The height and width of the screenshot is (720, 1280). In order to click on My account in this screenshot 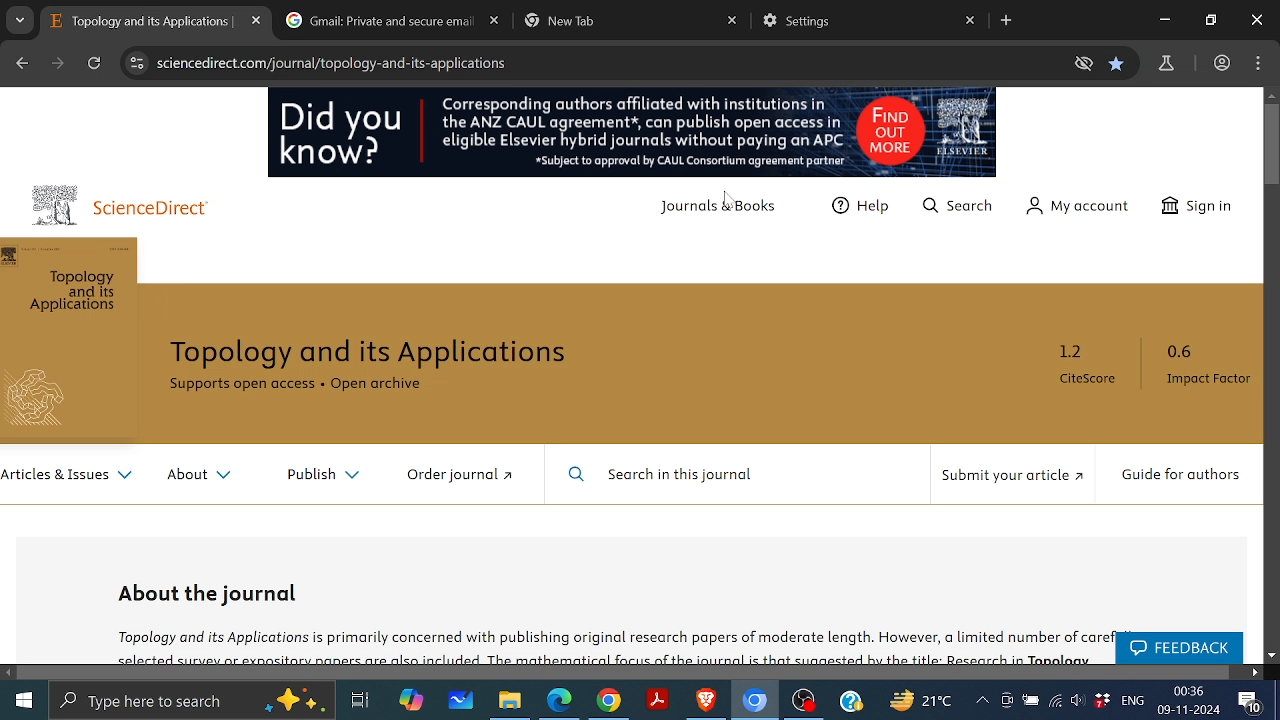, I will do `click(1083, 206)`.